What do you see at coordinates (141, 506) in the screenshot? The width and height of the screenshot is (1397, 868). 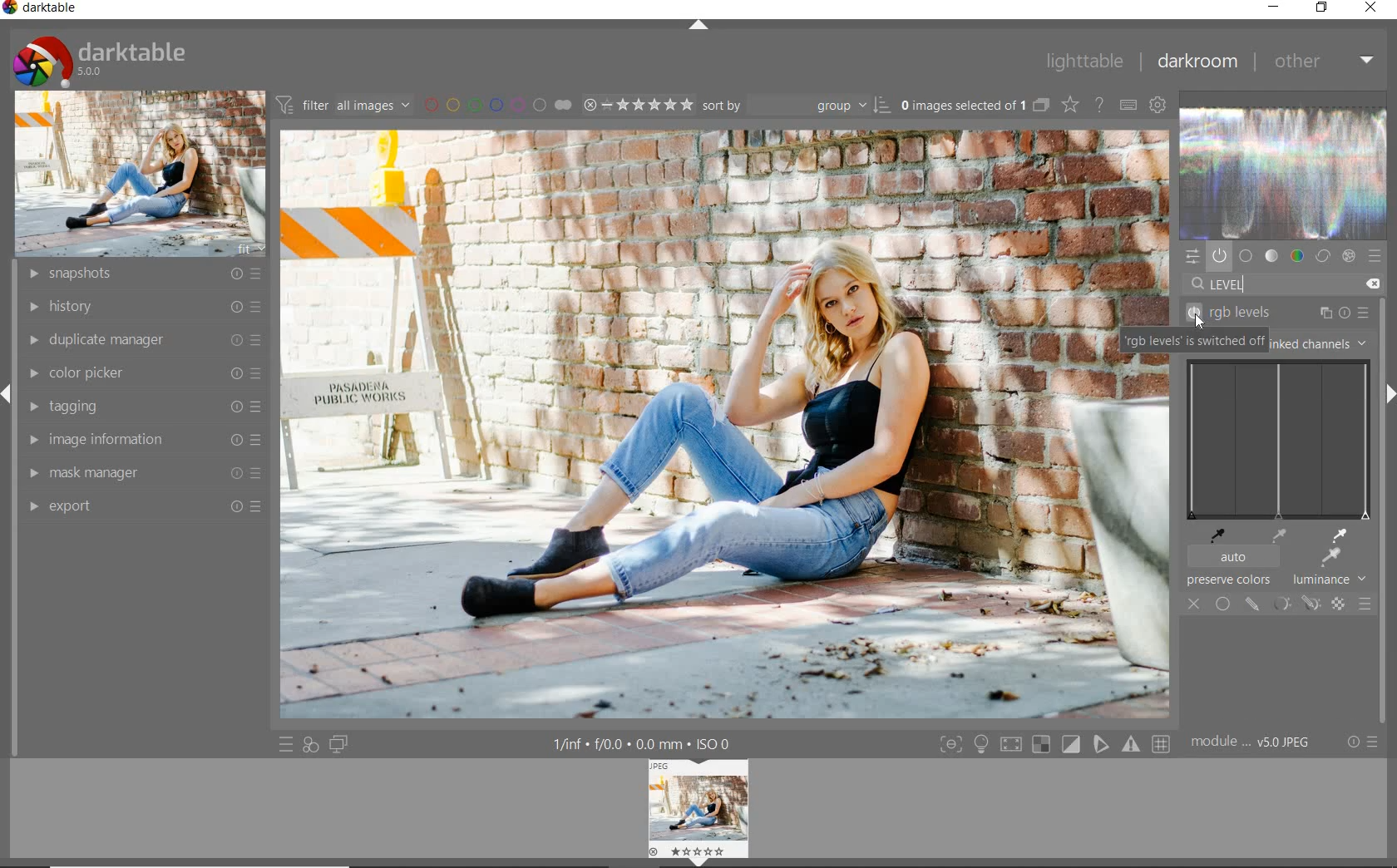 I see `export` at bounding box center [141, 506].